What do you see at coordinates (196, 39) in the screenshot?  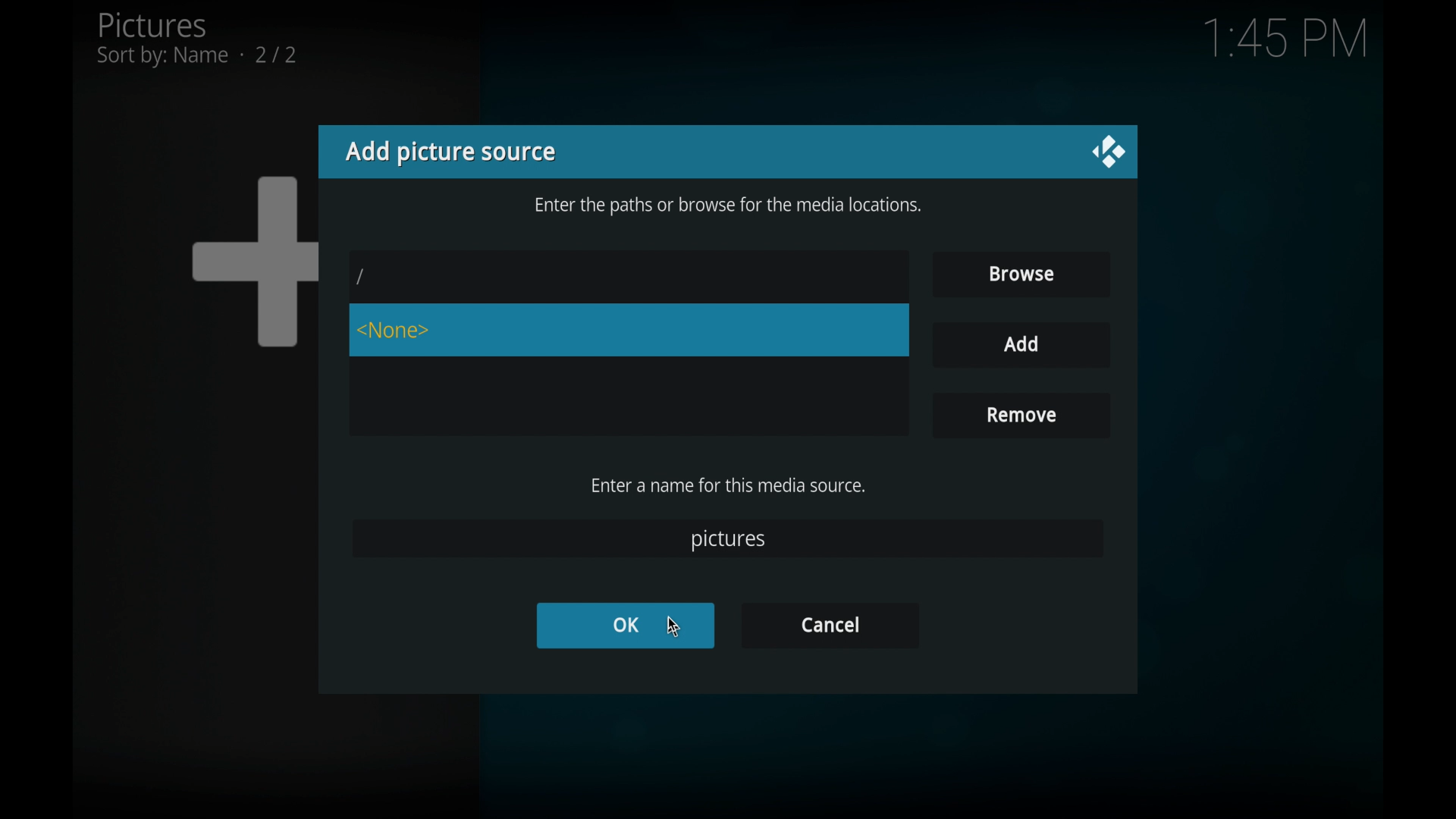 I see `pictures` at bounding box center [196, 39].